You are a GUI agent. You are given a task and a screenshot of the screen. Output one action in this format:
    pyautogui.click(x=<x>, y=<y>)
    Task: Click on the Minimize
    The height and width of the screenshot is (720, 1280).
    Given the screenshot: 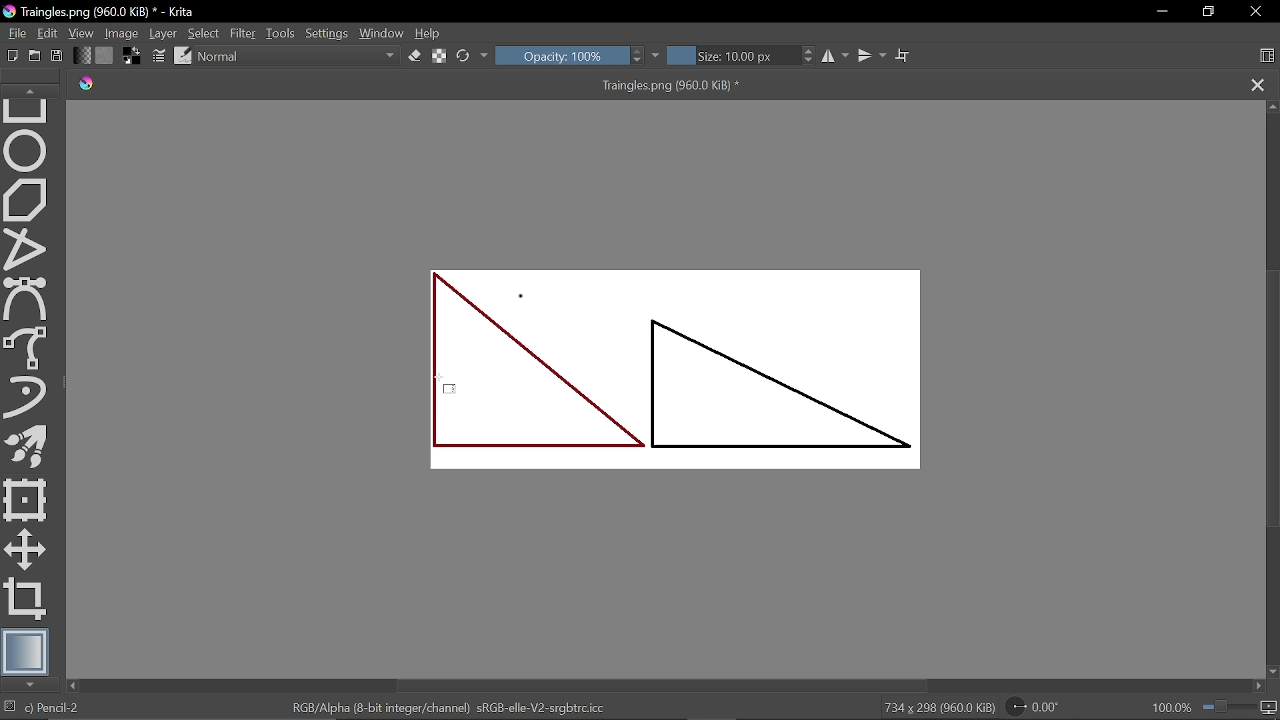 What is the action you would take?
    pyautogui.click(x=1162, y=13)
    